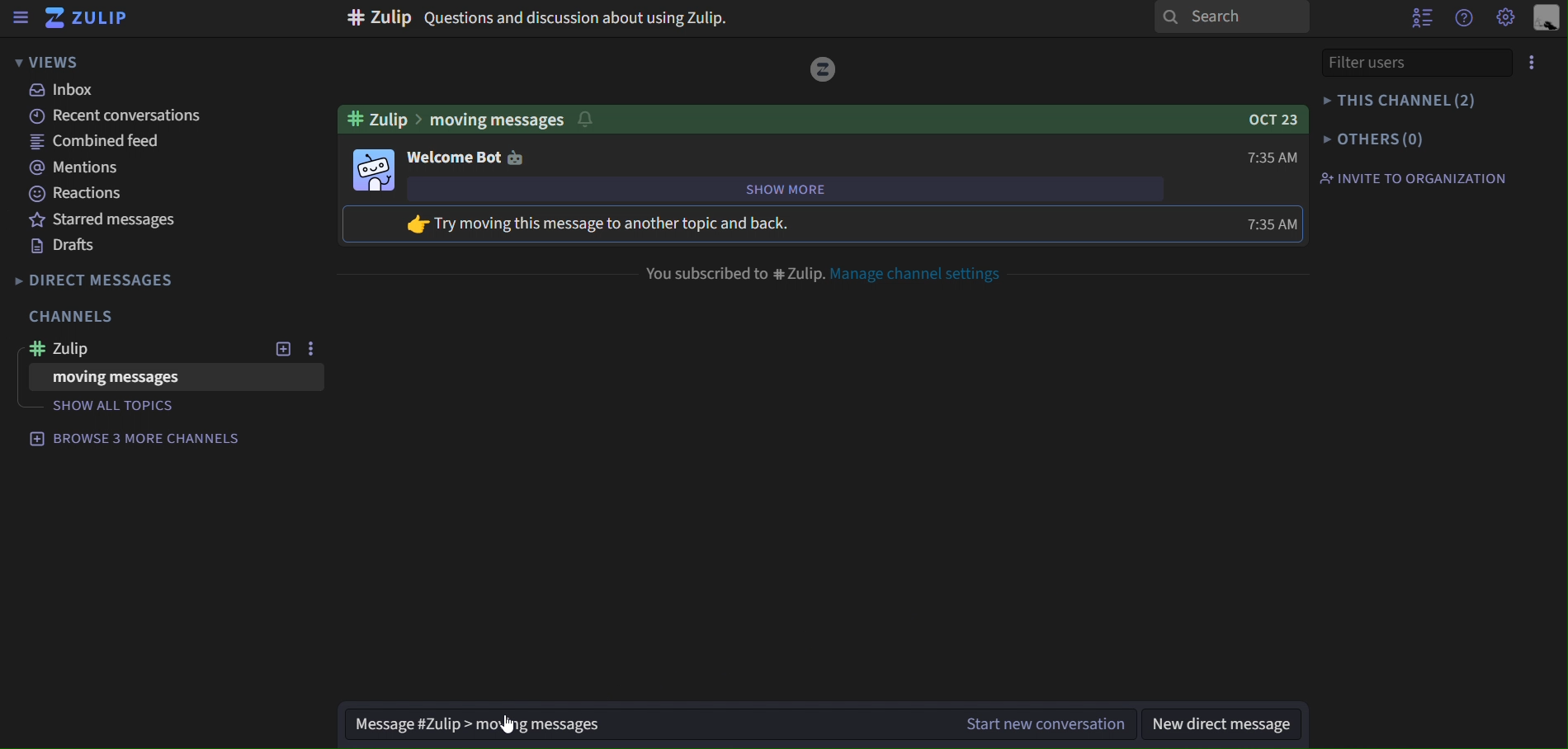  I want to click on moving messages, so click(125, 379).